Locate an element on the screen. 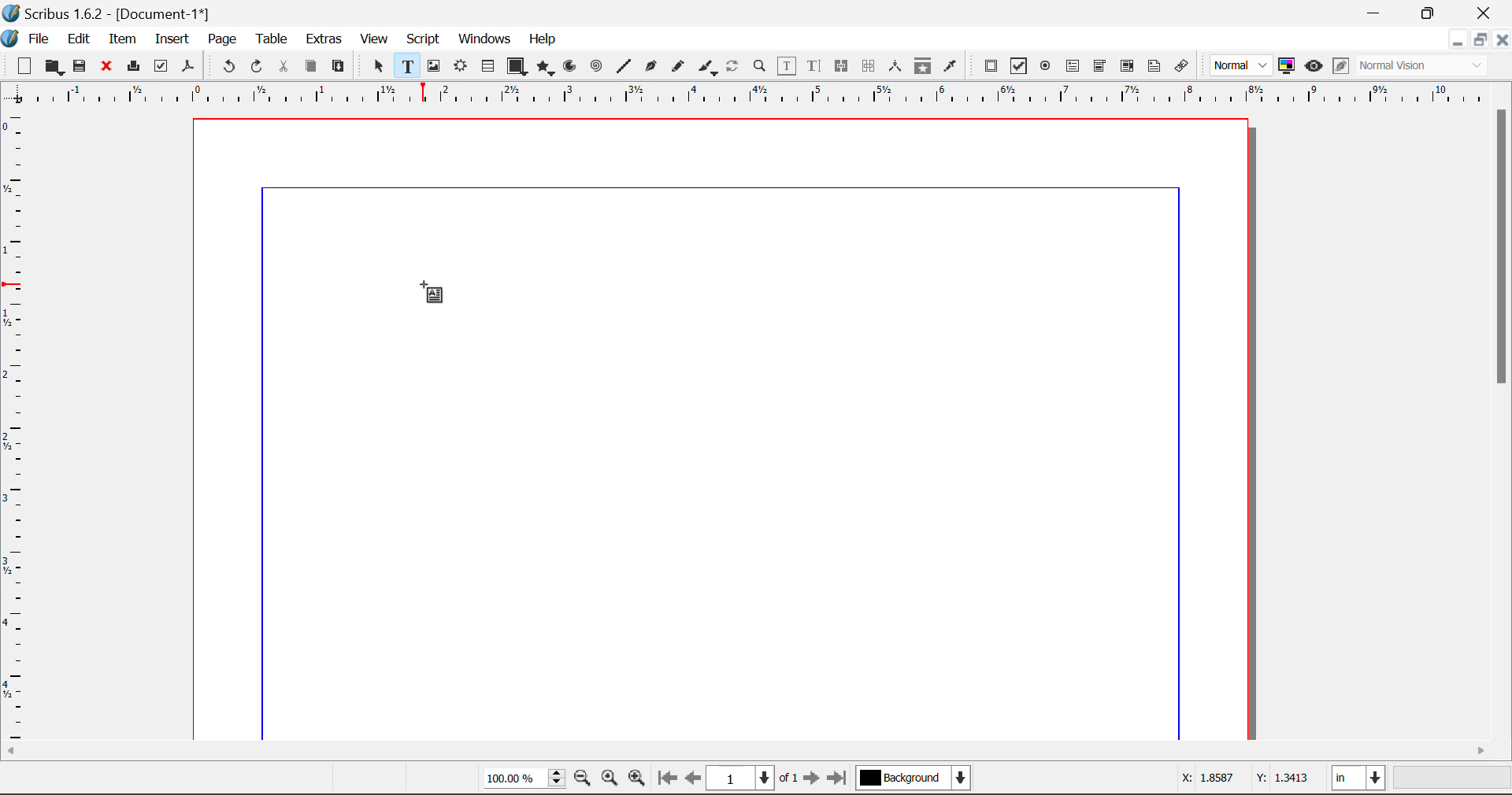 The image size is (1512, 795). Item is located at coordinates (120, 37).